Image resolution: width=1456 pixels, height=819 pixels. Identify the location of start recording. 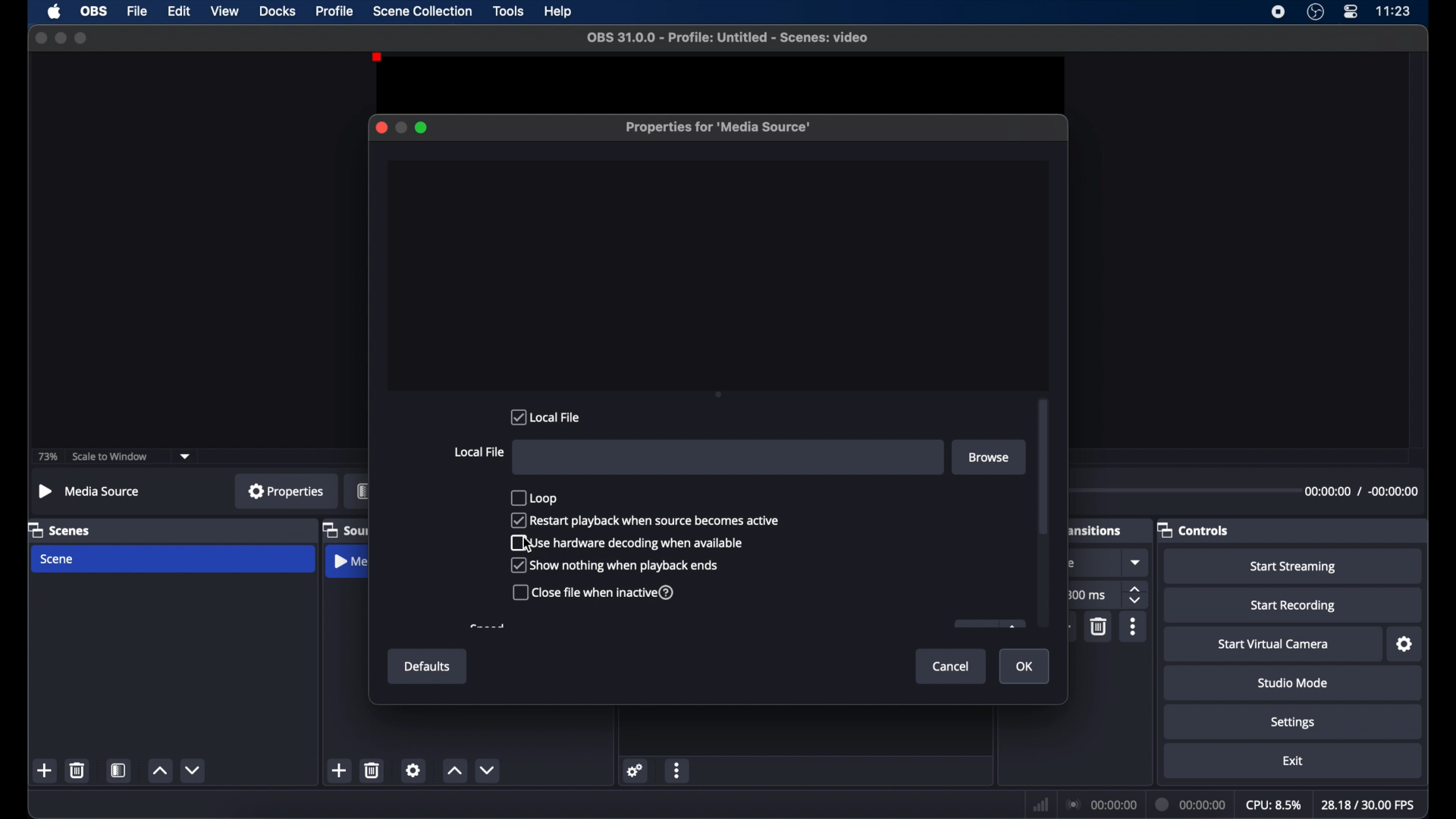
(1294, 606).